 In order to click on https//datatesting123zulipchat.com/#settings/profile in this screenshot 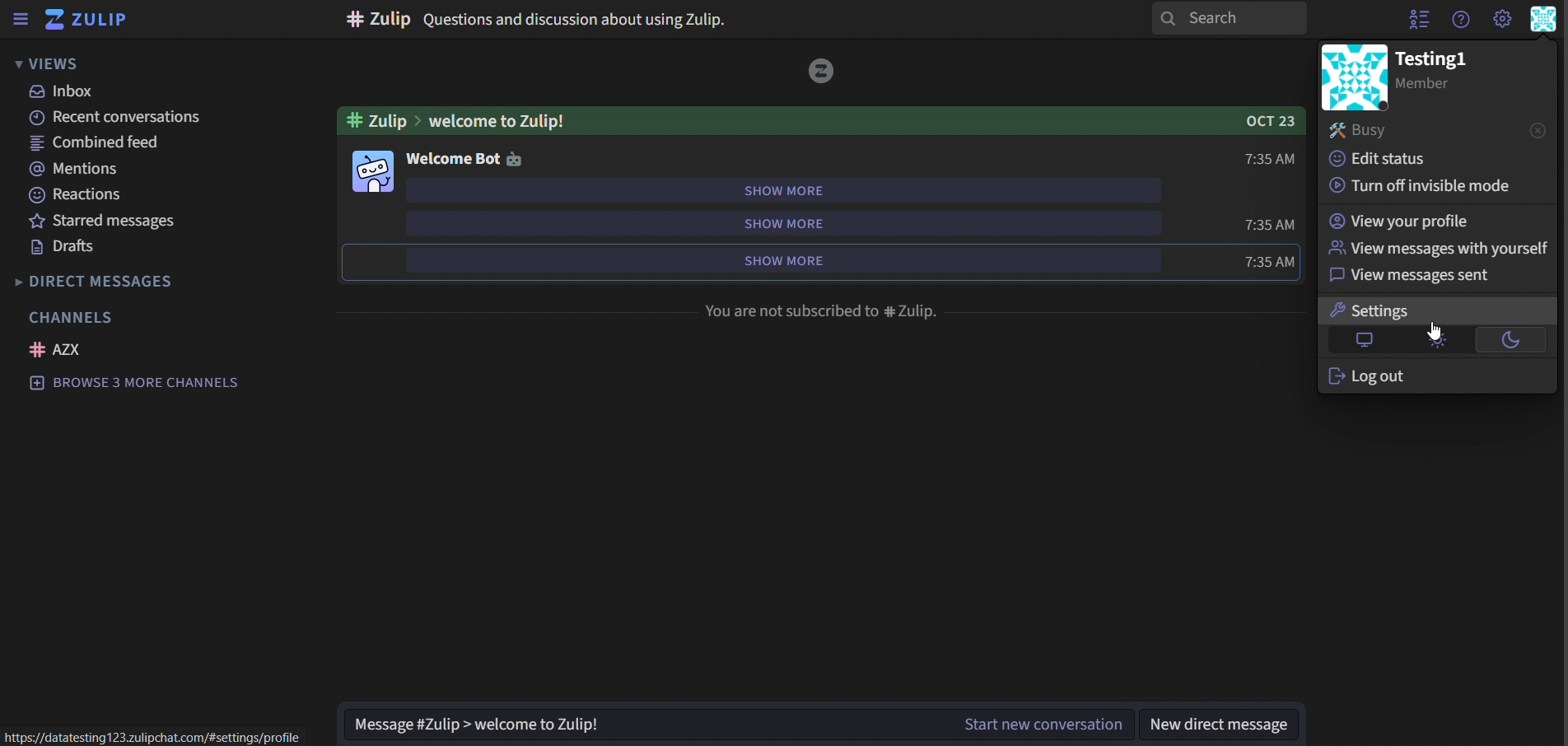, I will do `click(161, 734)`.